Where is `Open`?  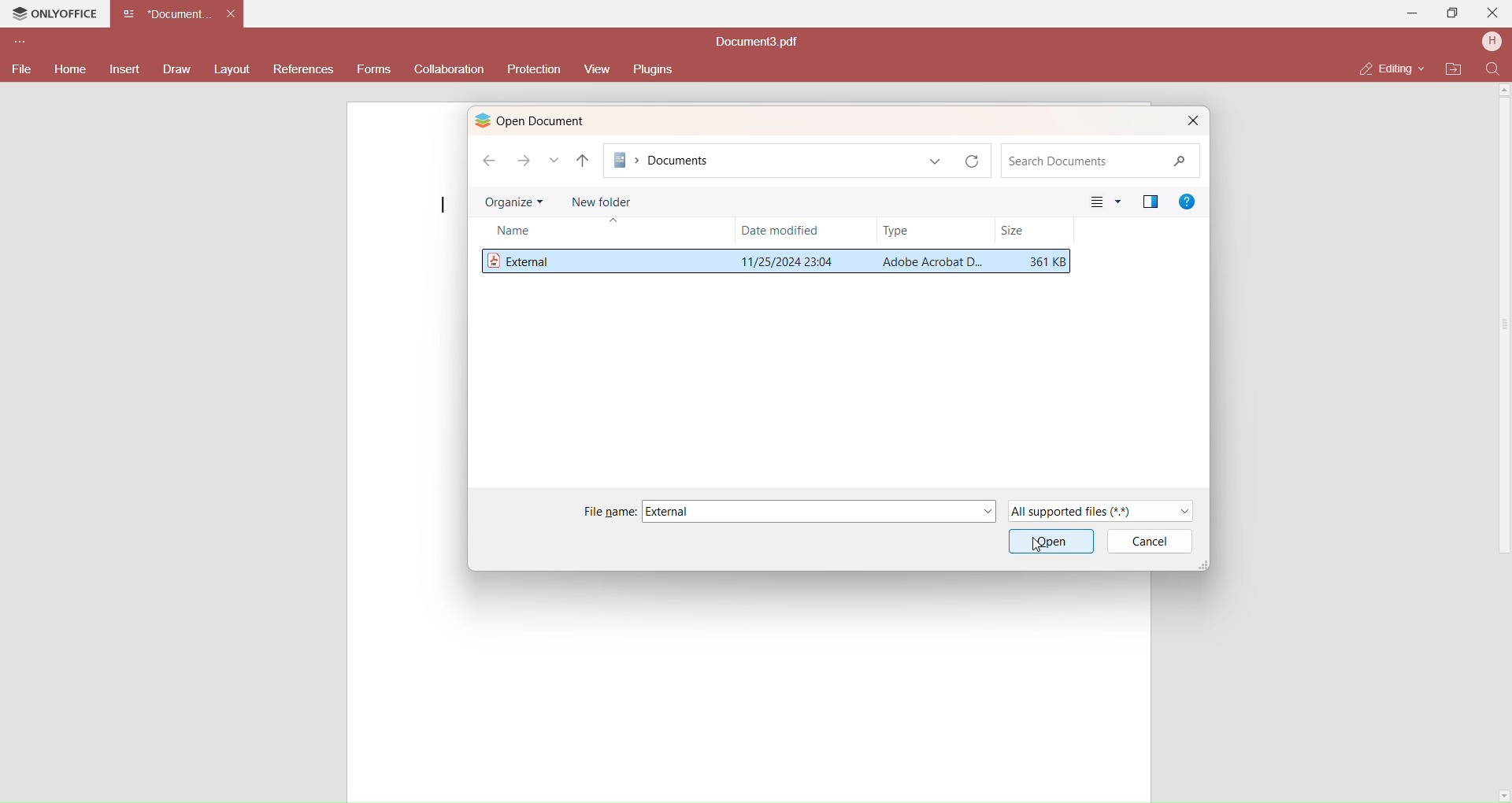 Open is located at coordinates (1051, 541).